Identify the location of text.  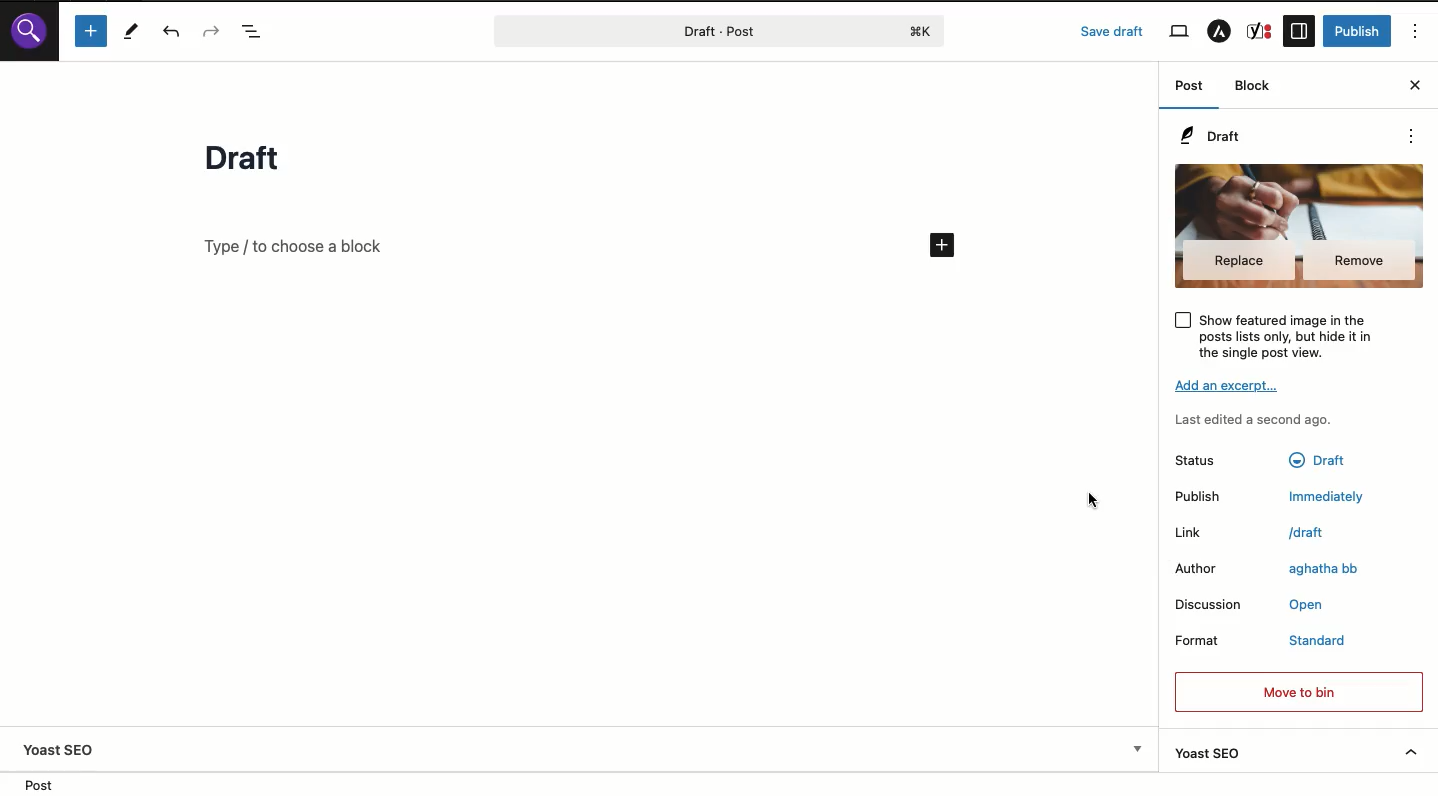
(1322, 498).